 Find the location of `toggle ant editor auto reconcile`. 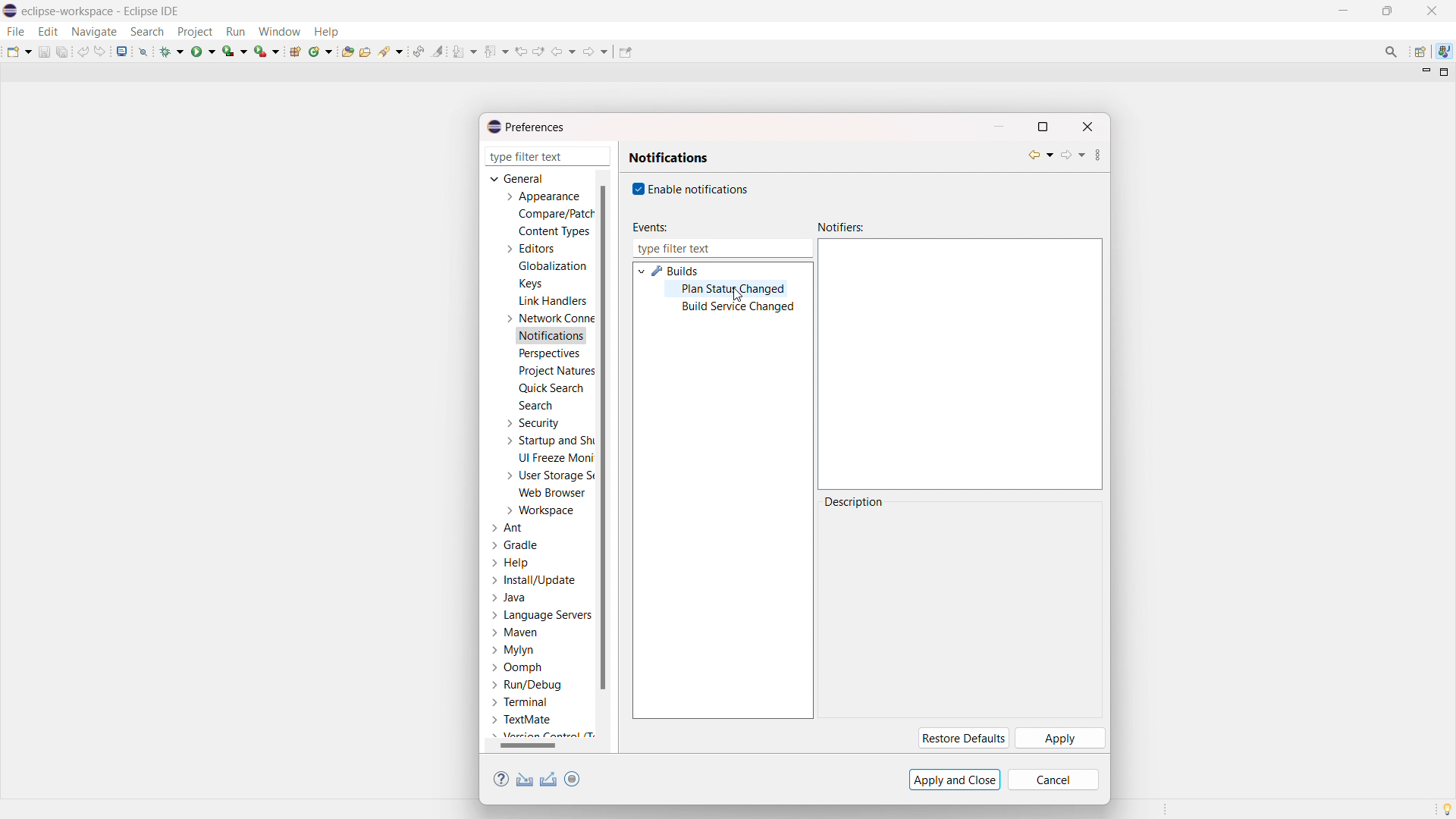

toggle ant editor auto reconcile is located at coordinates (418, 51).